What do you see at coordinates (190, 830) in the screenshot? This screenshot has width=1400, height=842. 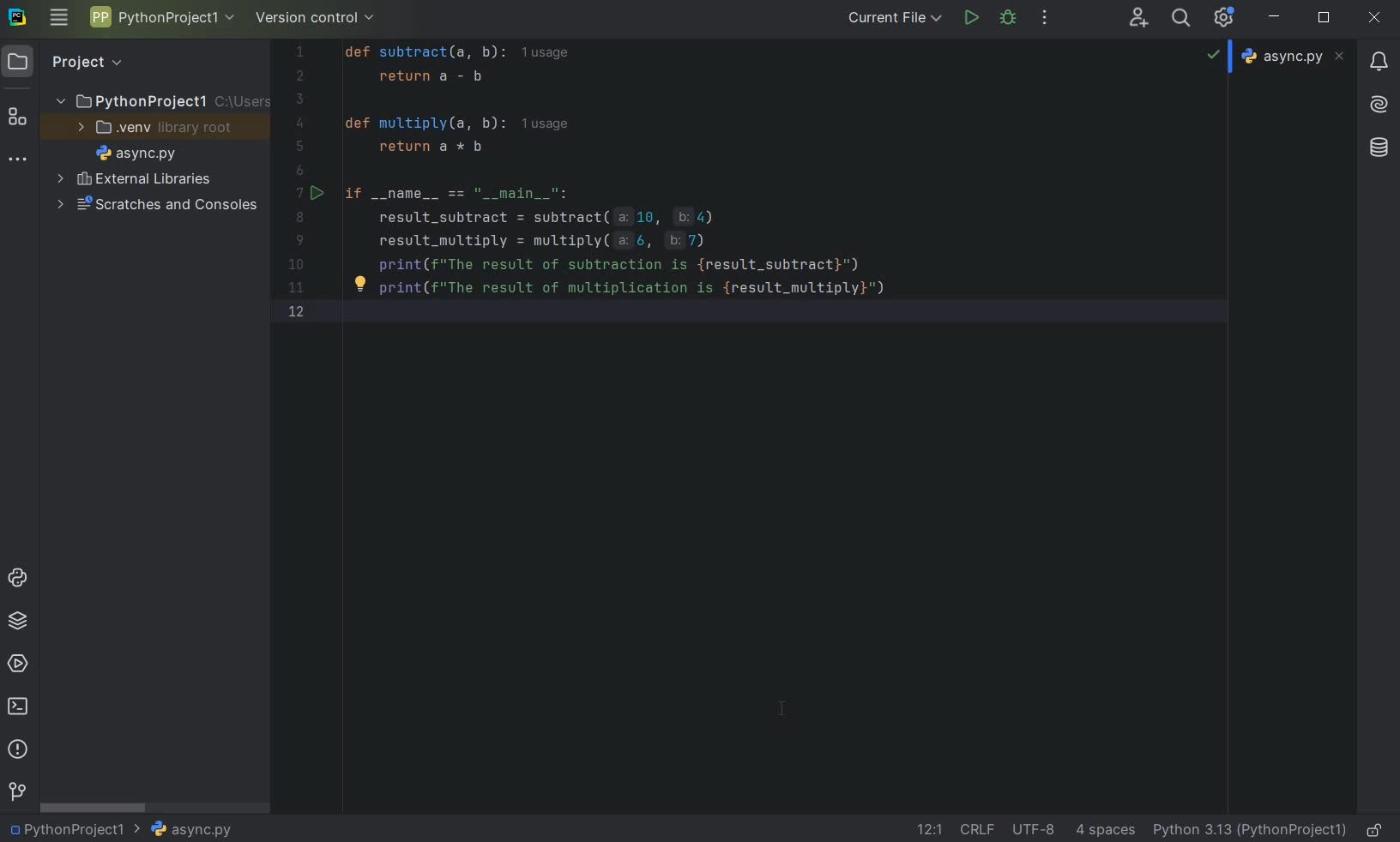 I see `FILE NAME` at bounding box center [190, 830].